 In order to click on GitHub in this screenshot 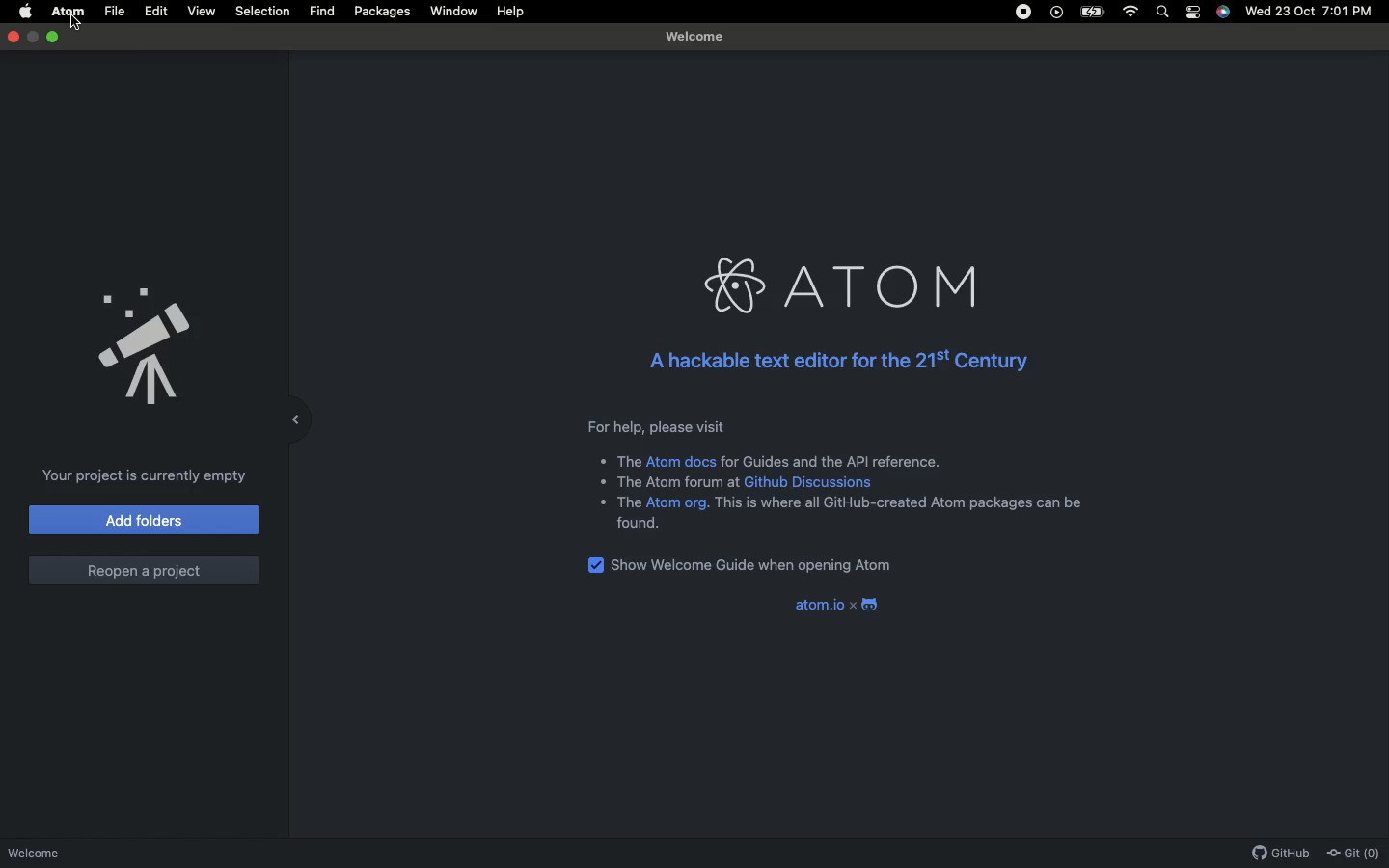, I will do `click(1276, 854)`.